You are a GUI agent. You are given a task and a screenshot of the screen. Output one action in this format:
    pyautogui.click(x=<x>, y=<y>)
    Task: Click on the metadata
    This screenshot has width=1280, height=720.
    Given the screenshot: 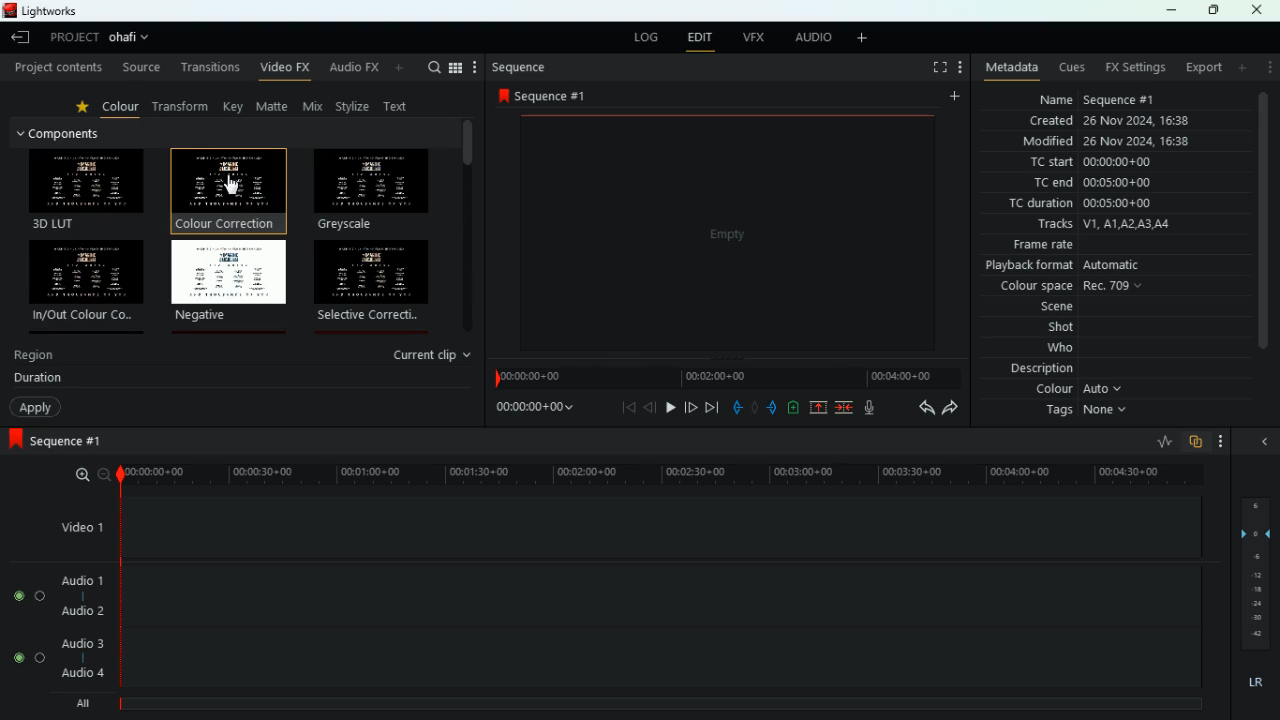 What is the action you would take?
    pyautogui.click(x=1008, y=69)
    